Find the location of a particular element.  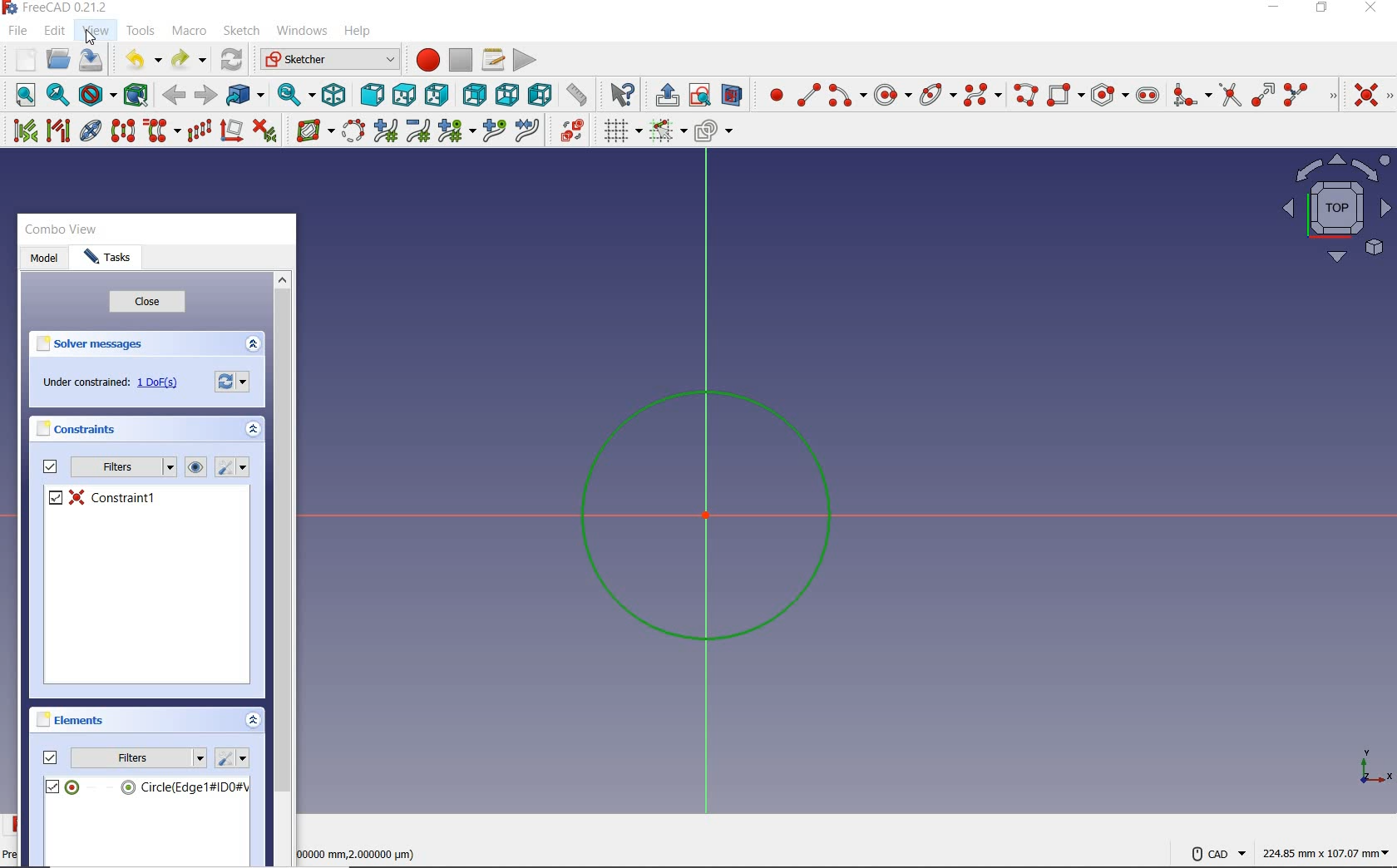

front is located at coordinates (369, 93).